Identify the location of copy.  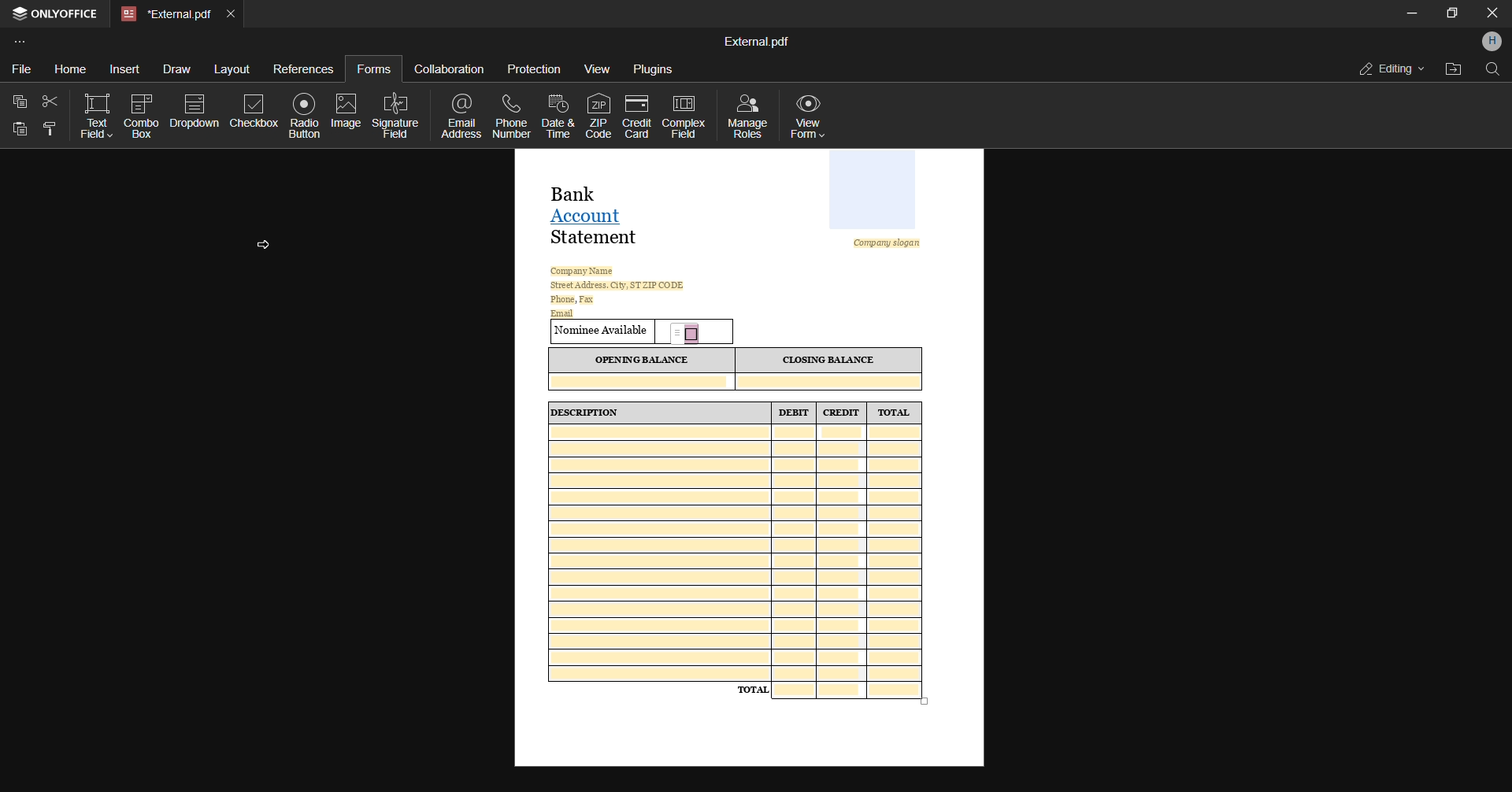
(17, 102).